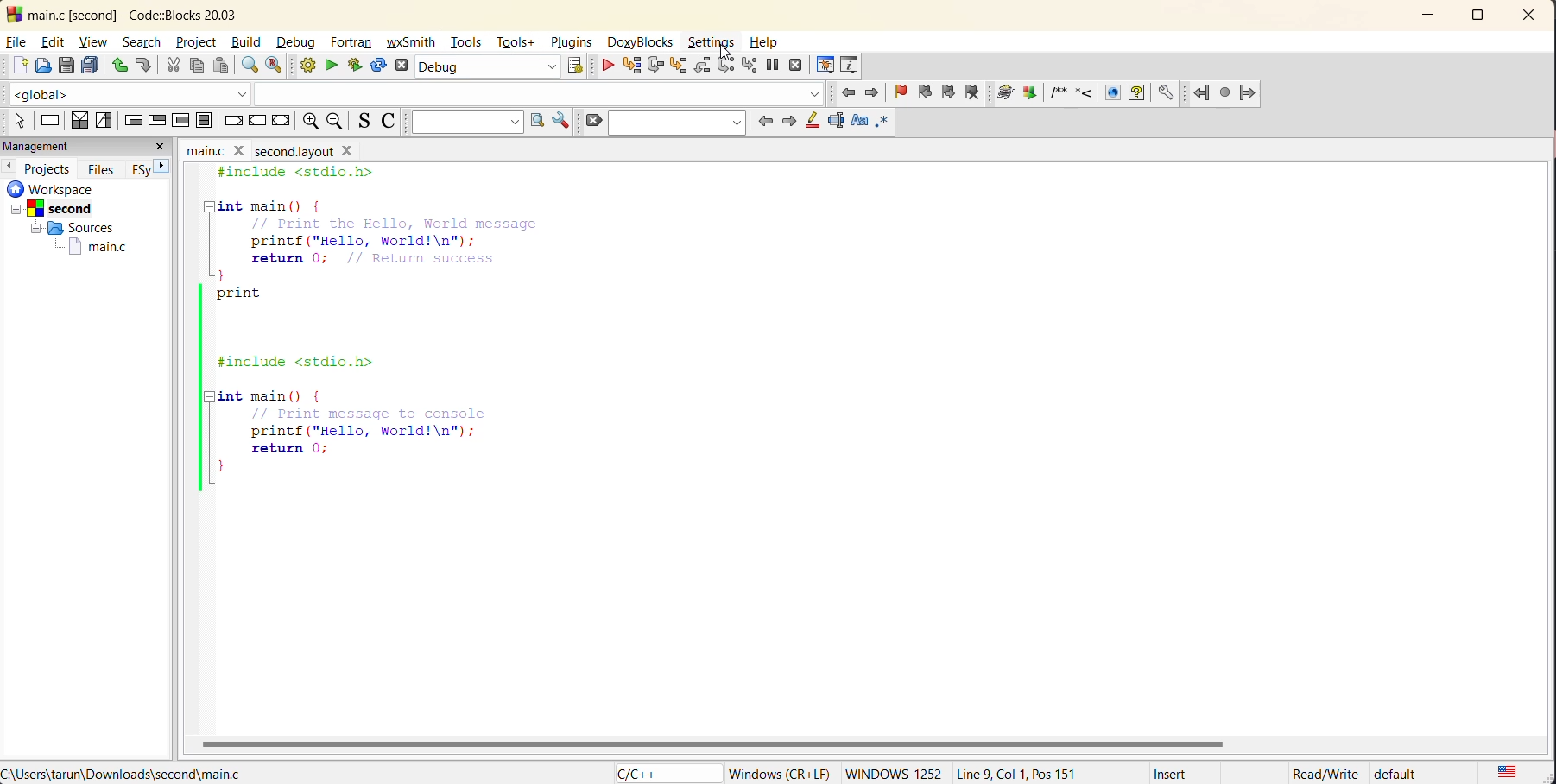 This screenshot has height=784, width=1556. Describe the element at coordinates (1202, 93) in the screenshot. I see `jump backword` at that location.